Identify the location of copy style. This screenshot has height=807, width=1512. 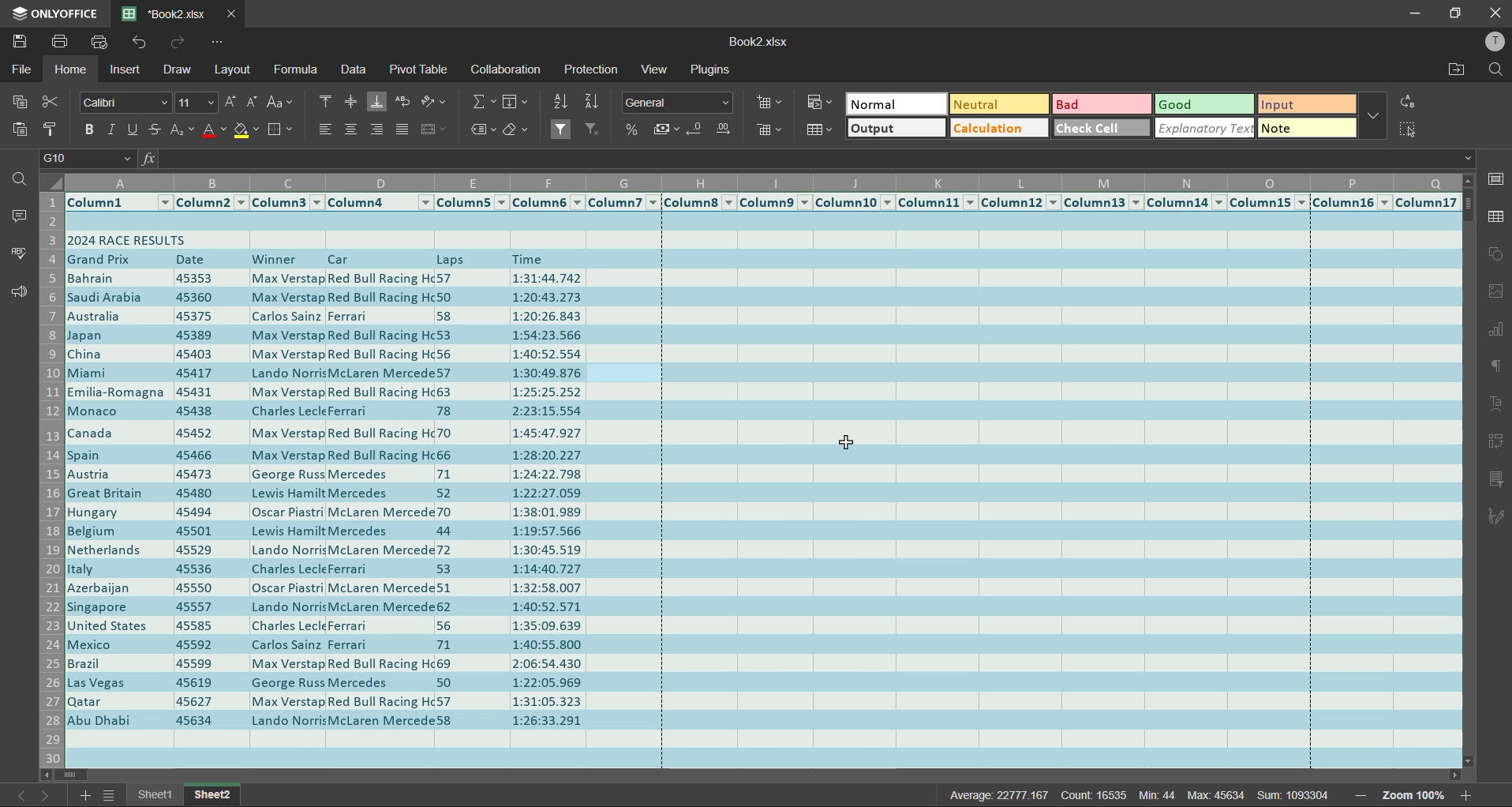
(51, 129).